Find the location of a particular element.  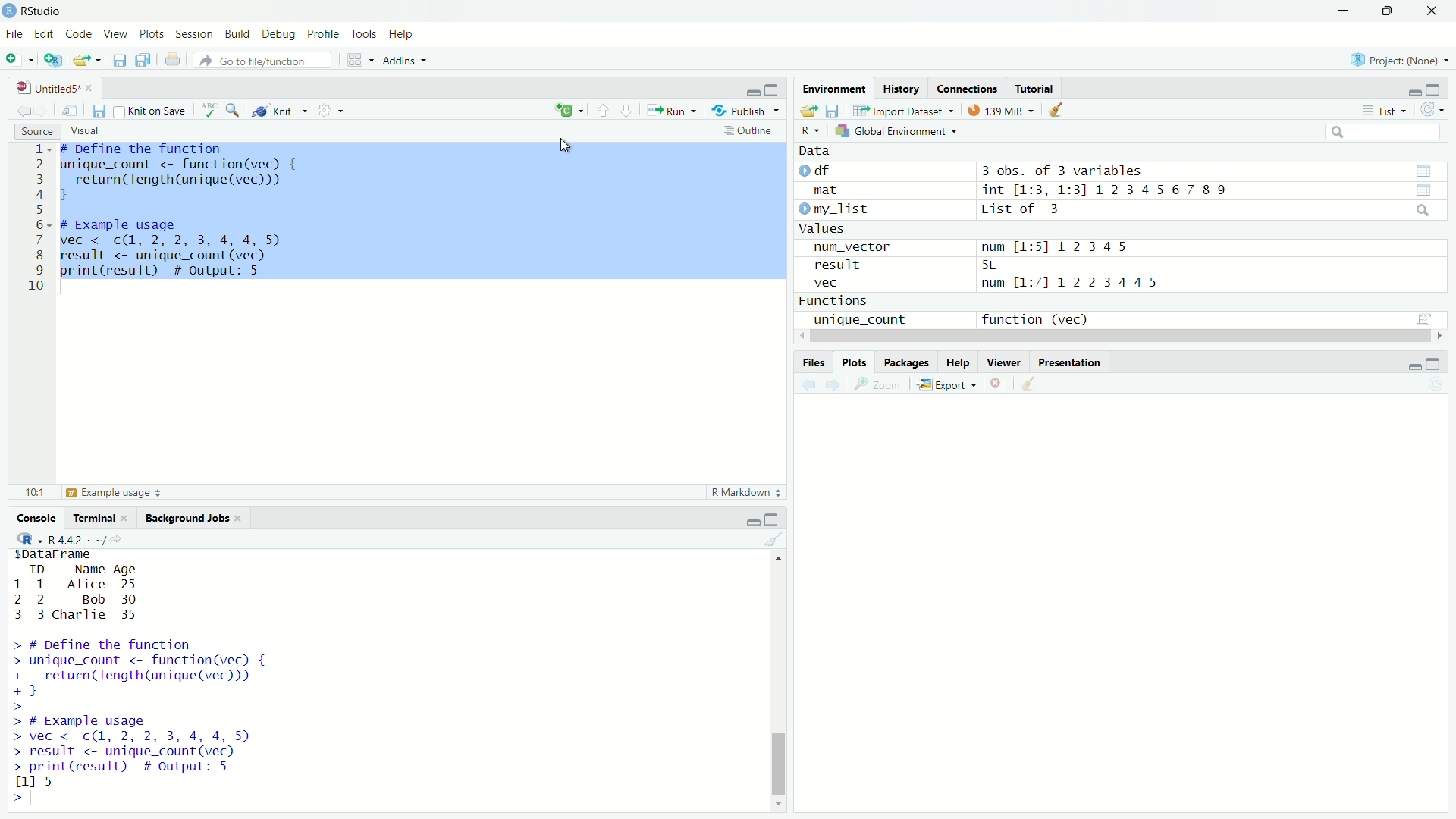

# Define the function
inique_count <- function(vec) {
return(length (unique (vec)))

J

¢ Example usage

vec <- c(1, 2, 2, 3, 4, 4, 5
result <- unique_count (vec)
orint(result) # output: 5 is located at coordinates (177, 215).